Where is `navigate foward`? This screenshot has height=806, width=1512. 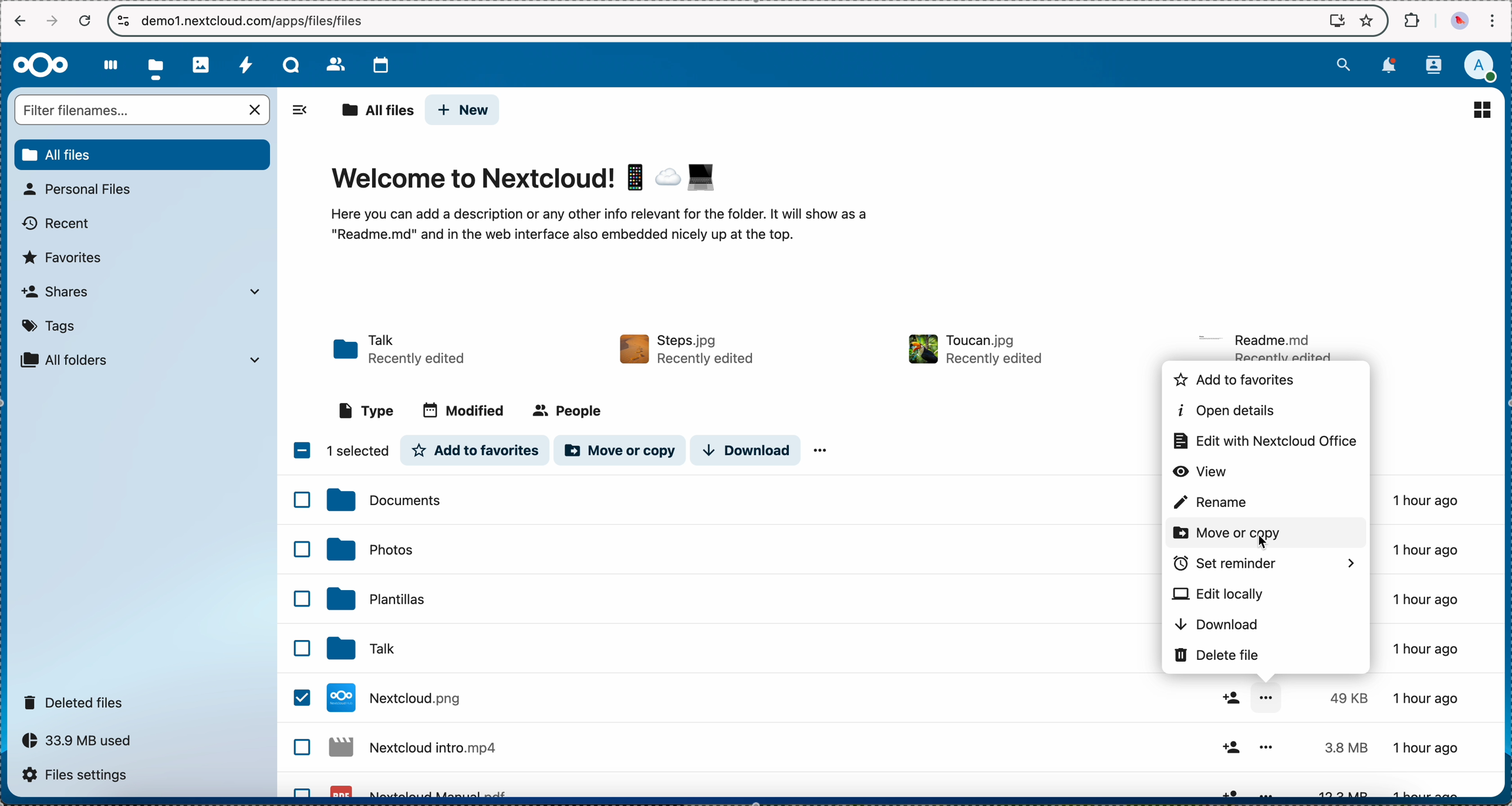
navigate foward is located at coordinates (49, 22).